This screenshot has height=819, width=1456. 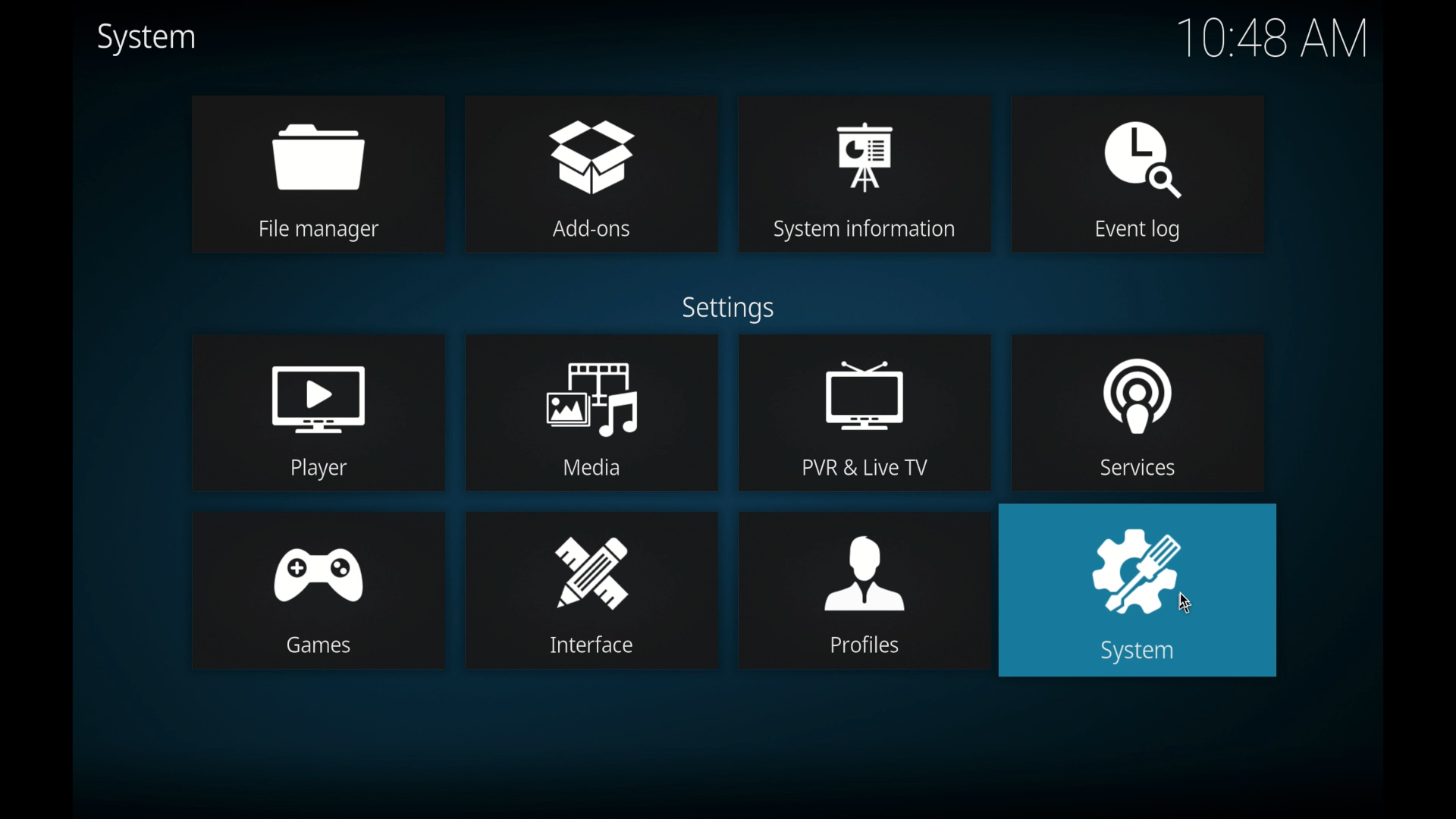 I want to click on services, so click(x=1138, y=411).